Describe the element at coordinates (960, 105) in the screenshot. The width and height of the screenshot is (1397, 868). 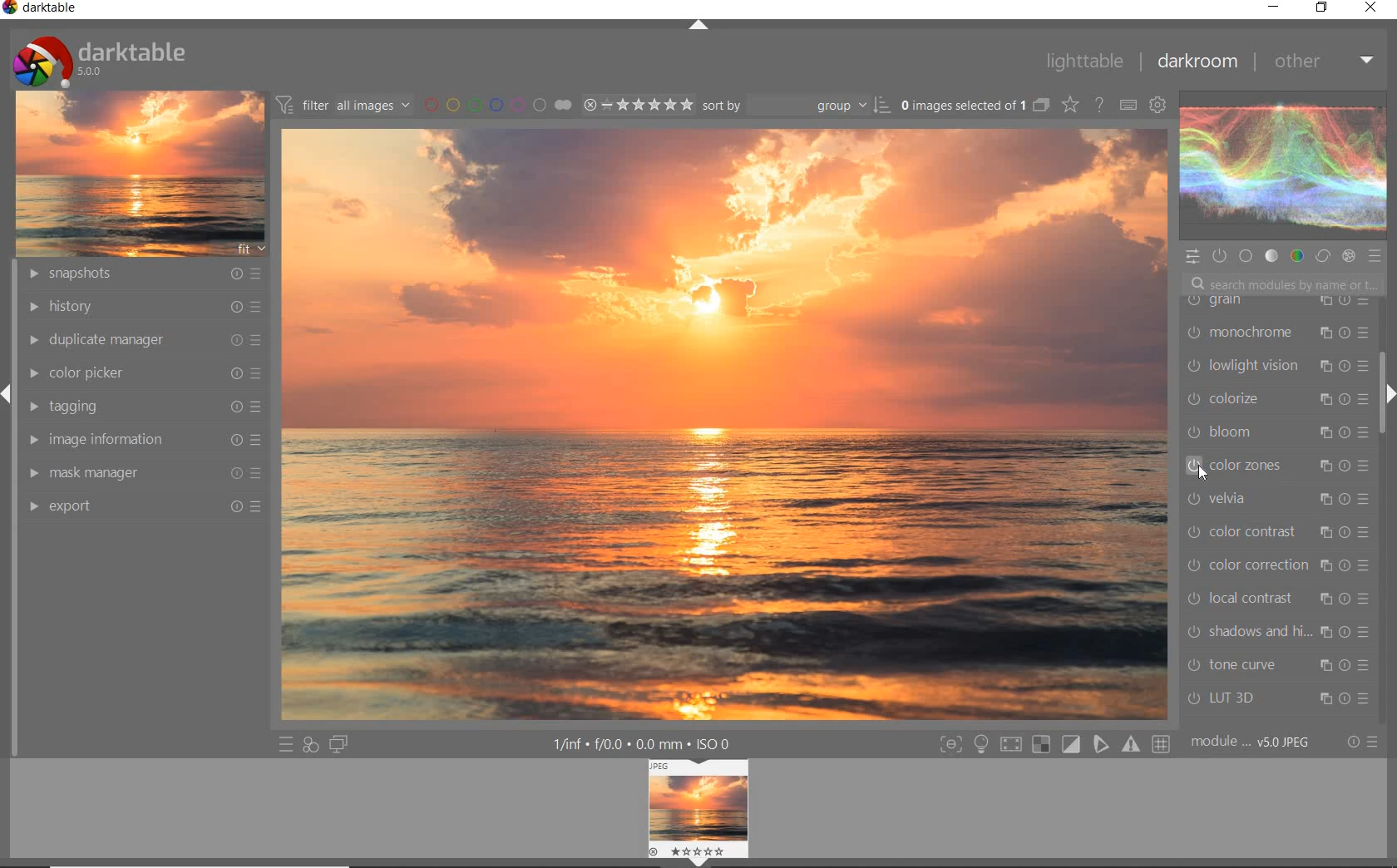
I see `SELSECTED IMAGE` at that location.